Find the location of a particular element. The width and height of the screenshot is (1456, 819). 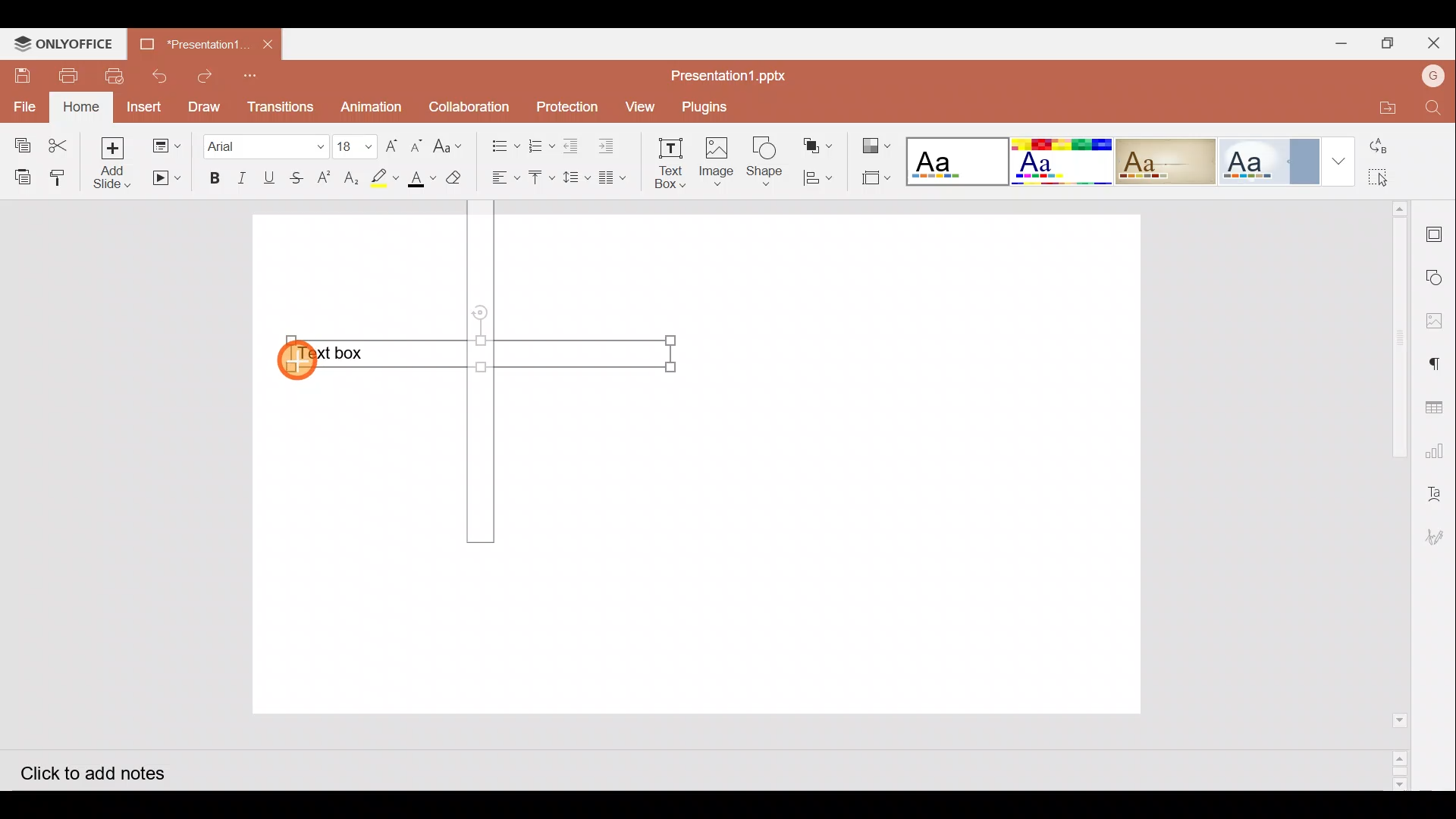

Insert columns is located at coordinates (617, 175).